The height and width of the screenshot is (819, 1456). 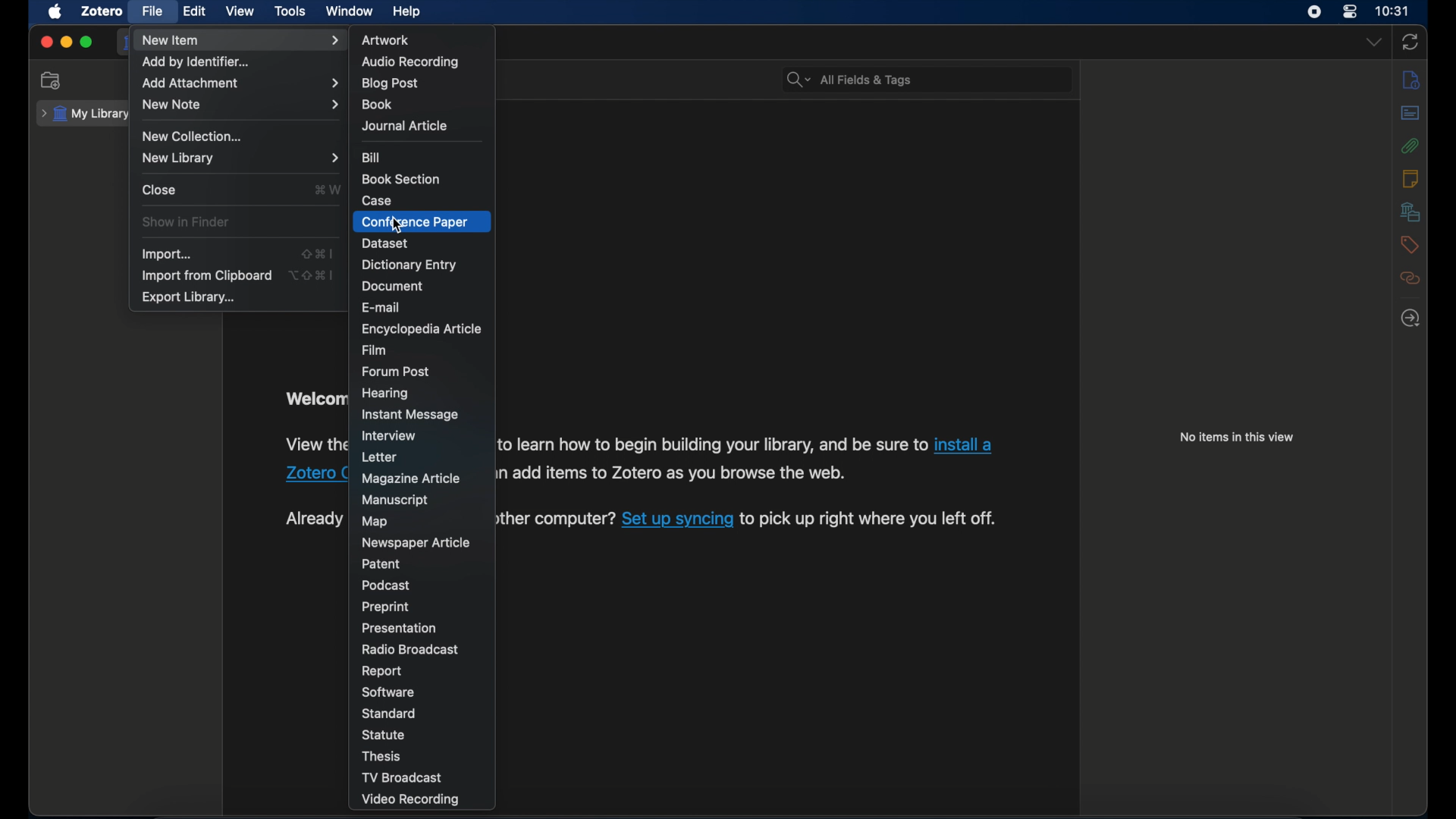 What do you see at coordinates (196, 62) in the screenshot?
I see `add by identifier` at bounding box center [196, 62].